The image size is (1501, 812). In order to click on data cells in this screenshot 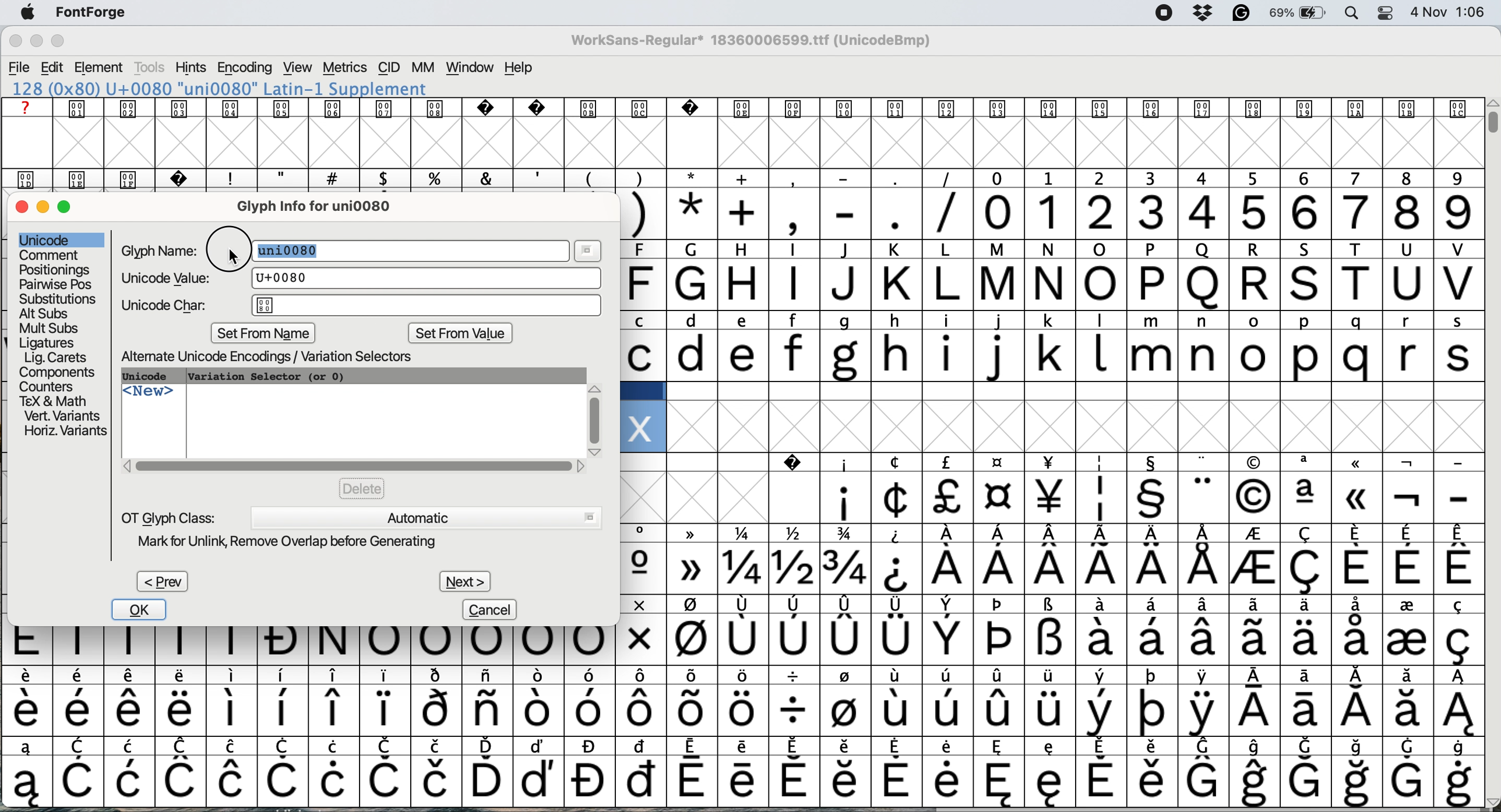, I will do `click(1054, 391)`.